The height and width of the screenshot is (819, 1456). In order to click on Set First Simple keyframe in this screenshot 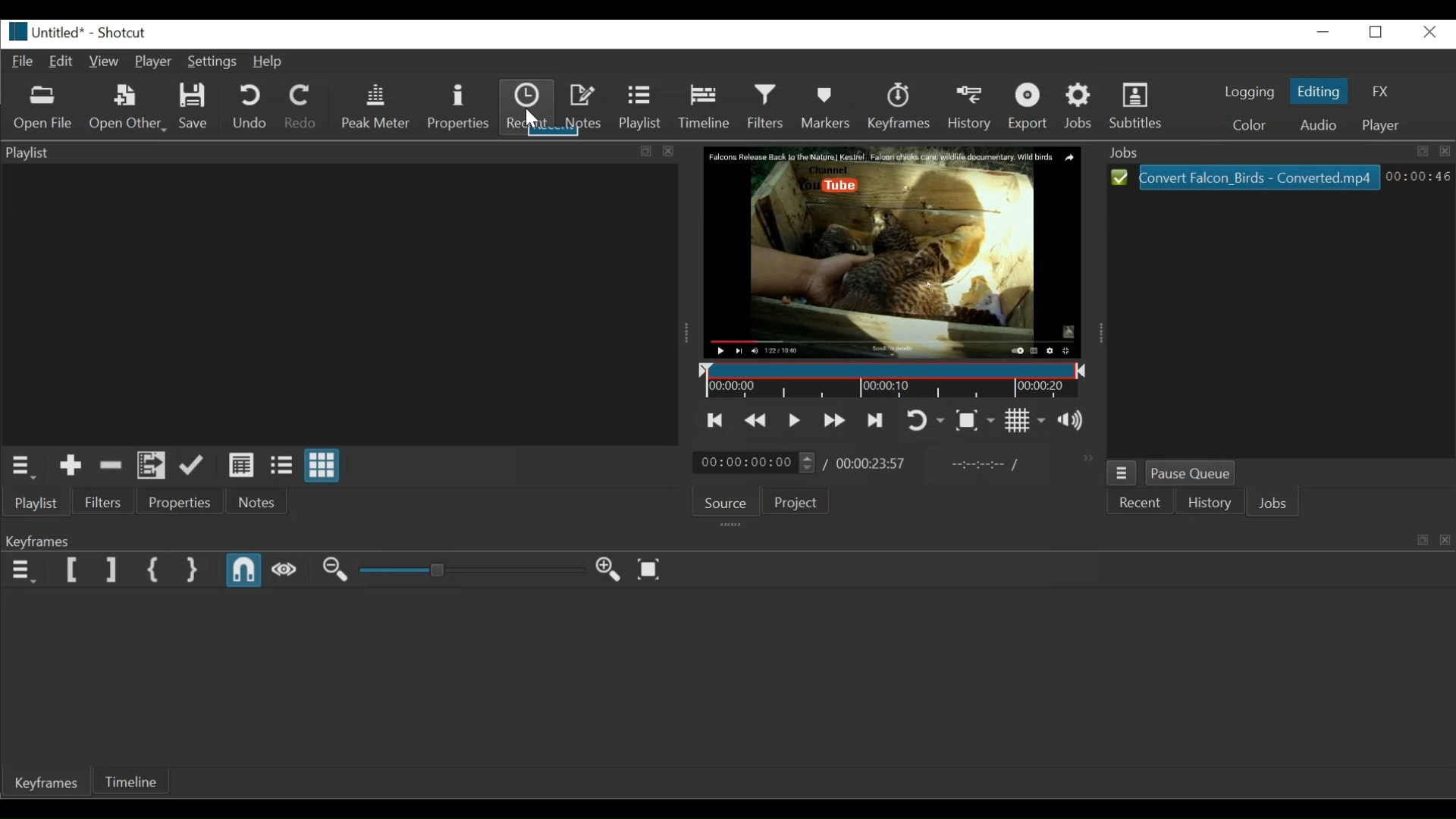, I will do `click(152, 570)`.